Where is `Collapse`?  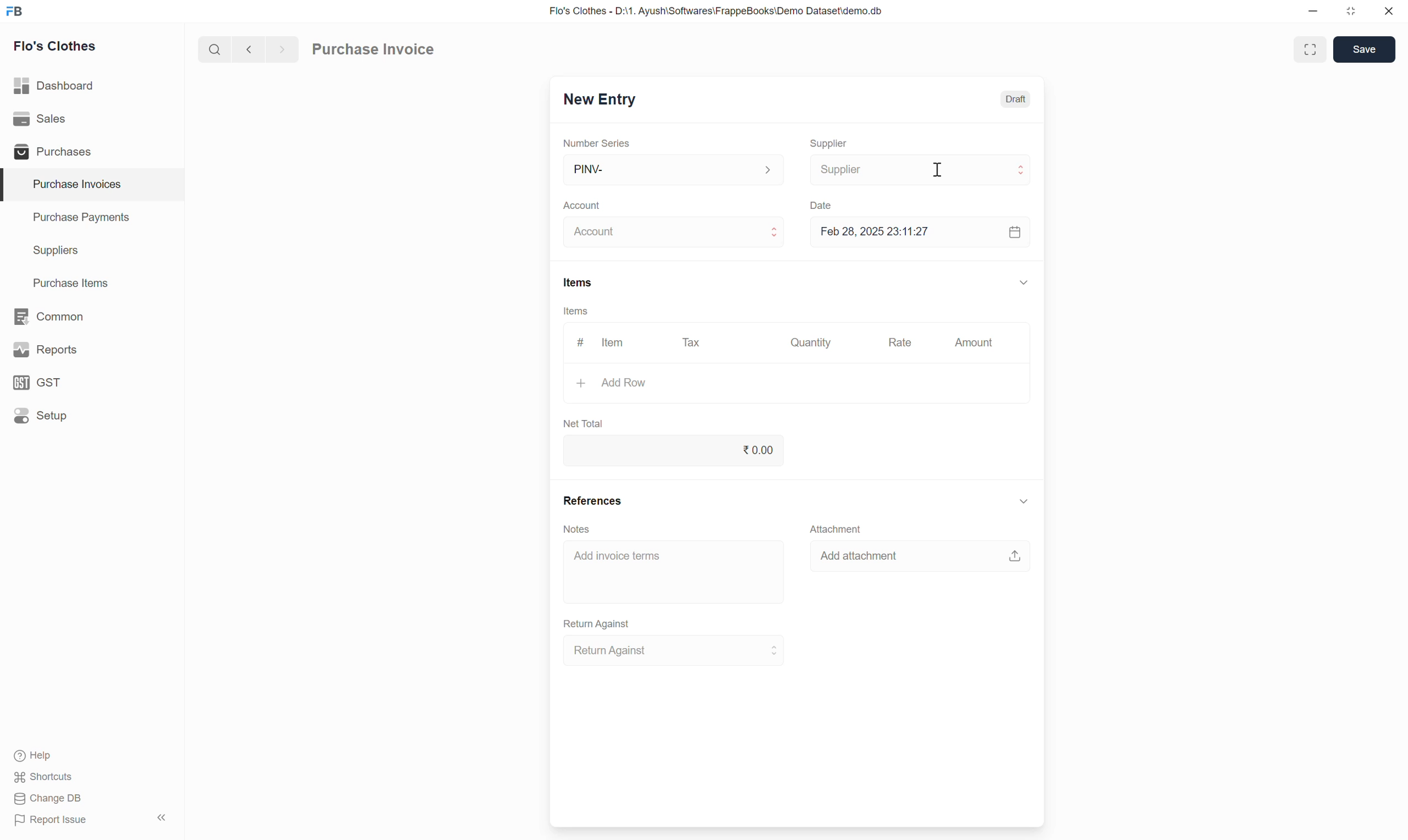 Collapse is located at coordinates (1024, 501).